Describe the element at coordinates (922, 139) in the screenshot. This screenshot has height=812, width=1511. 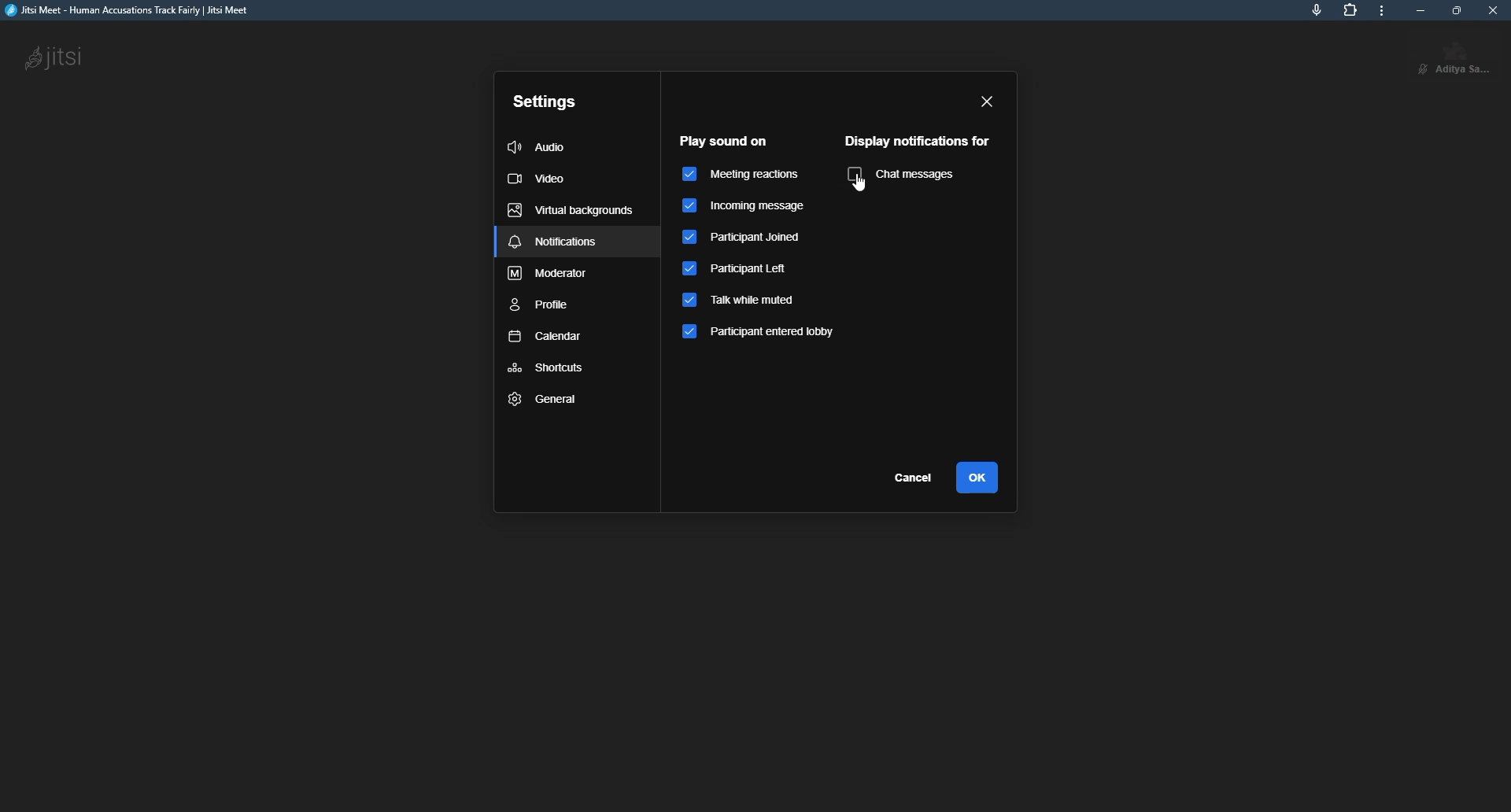
I see `display notifications for` at that location.